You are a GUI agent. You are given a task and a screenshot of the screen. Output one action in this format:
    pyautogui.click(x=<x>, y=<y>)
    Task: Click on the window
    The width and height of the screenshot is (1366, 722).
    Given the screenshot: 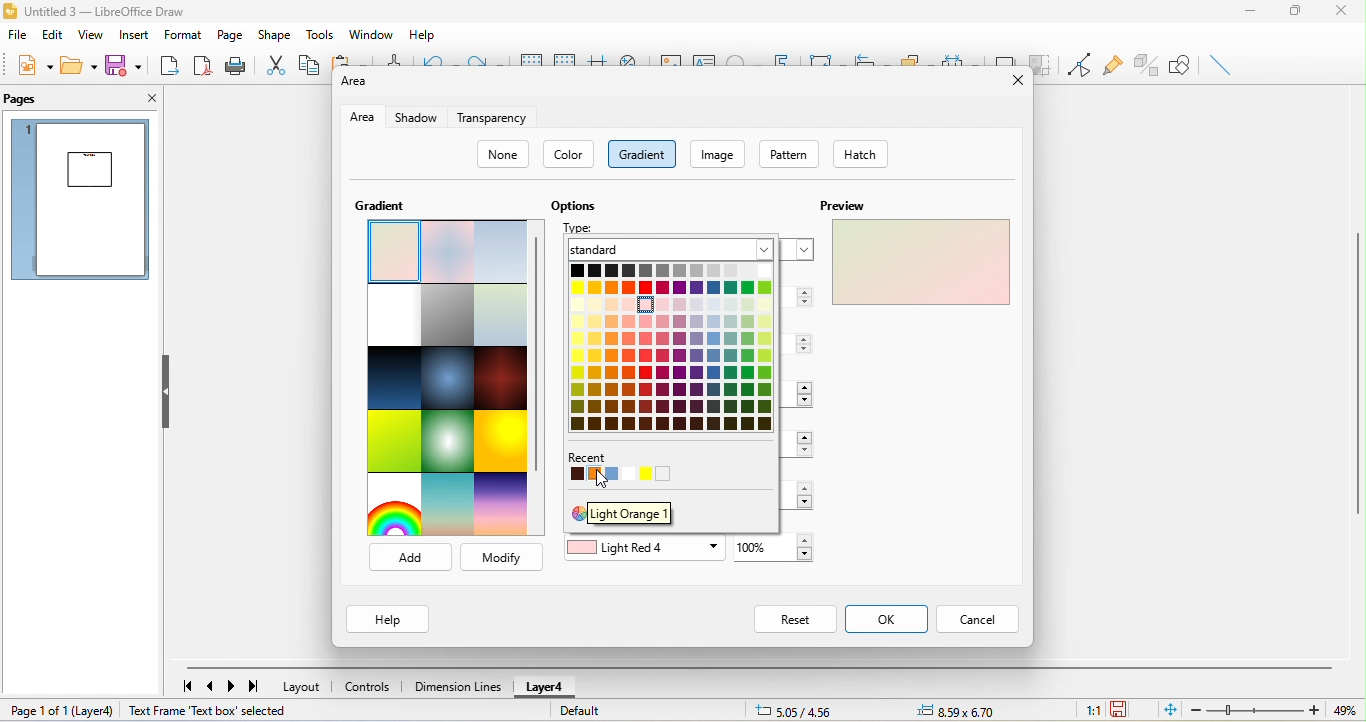 What is the action you would take?
    pyautogui.click(x=368, y=34)
    